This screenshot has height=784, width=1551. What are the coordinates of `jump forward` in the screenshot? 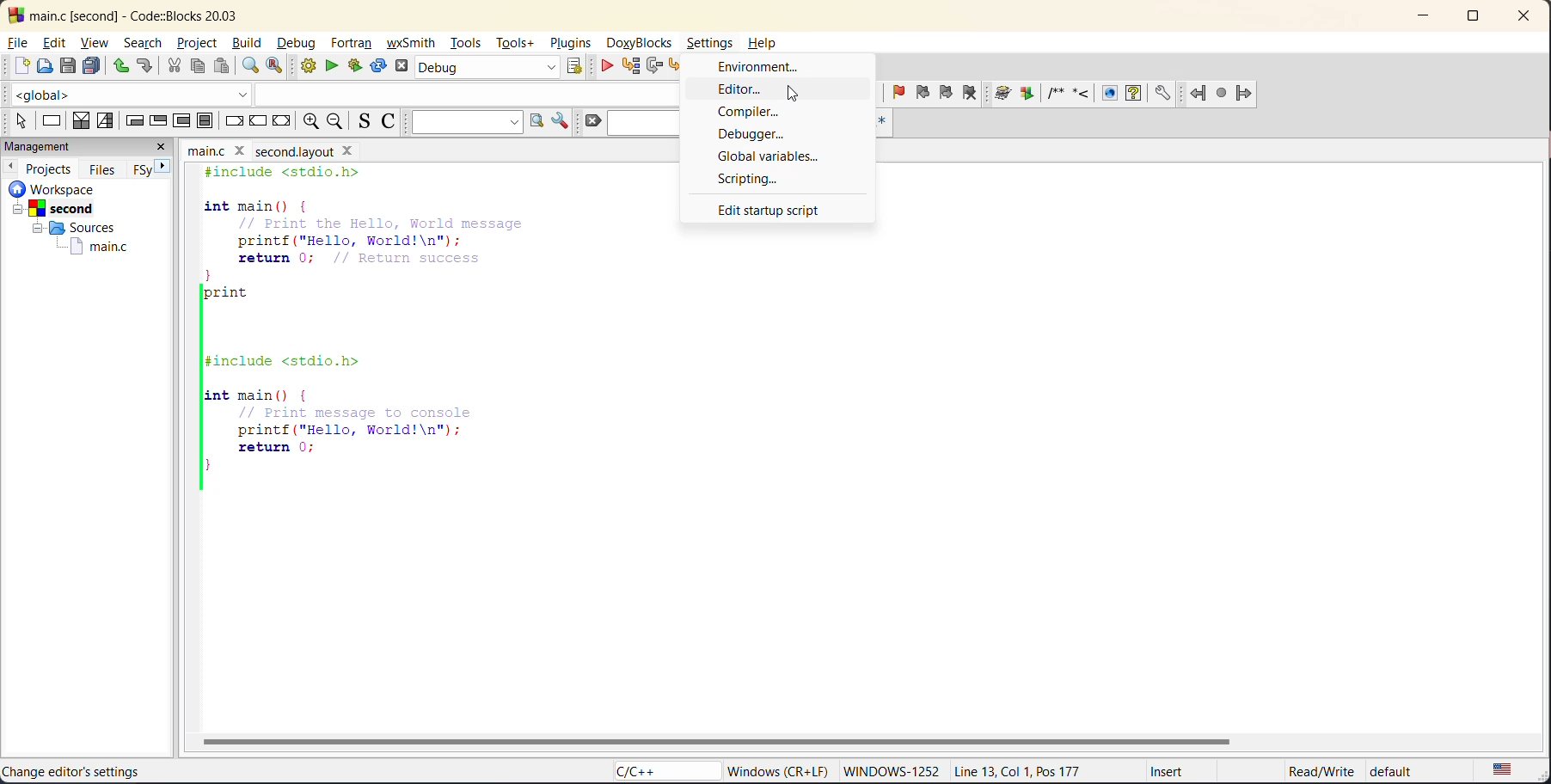 It's located at (1248, 94).